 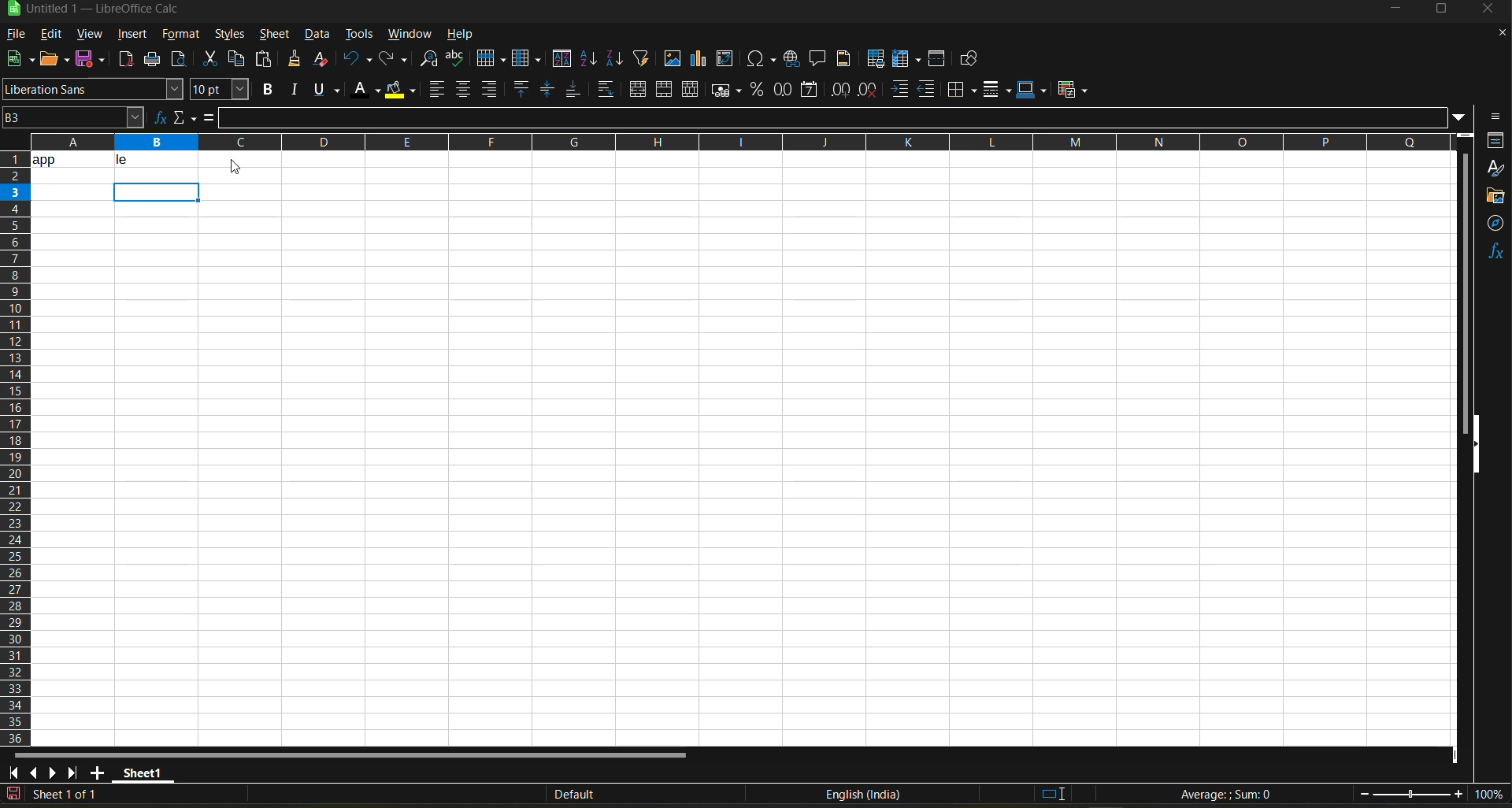 What do you see at coordinates (1411, 795) in the screenshot?
I see `zoom slider` at bounding box center [1411, 795].